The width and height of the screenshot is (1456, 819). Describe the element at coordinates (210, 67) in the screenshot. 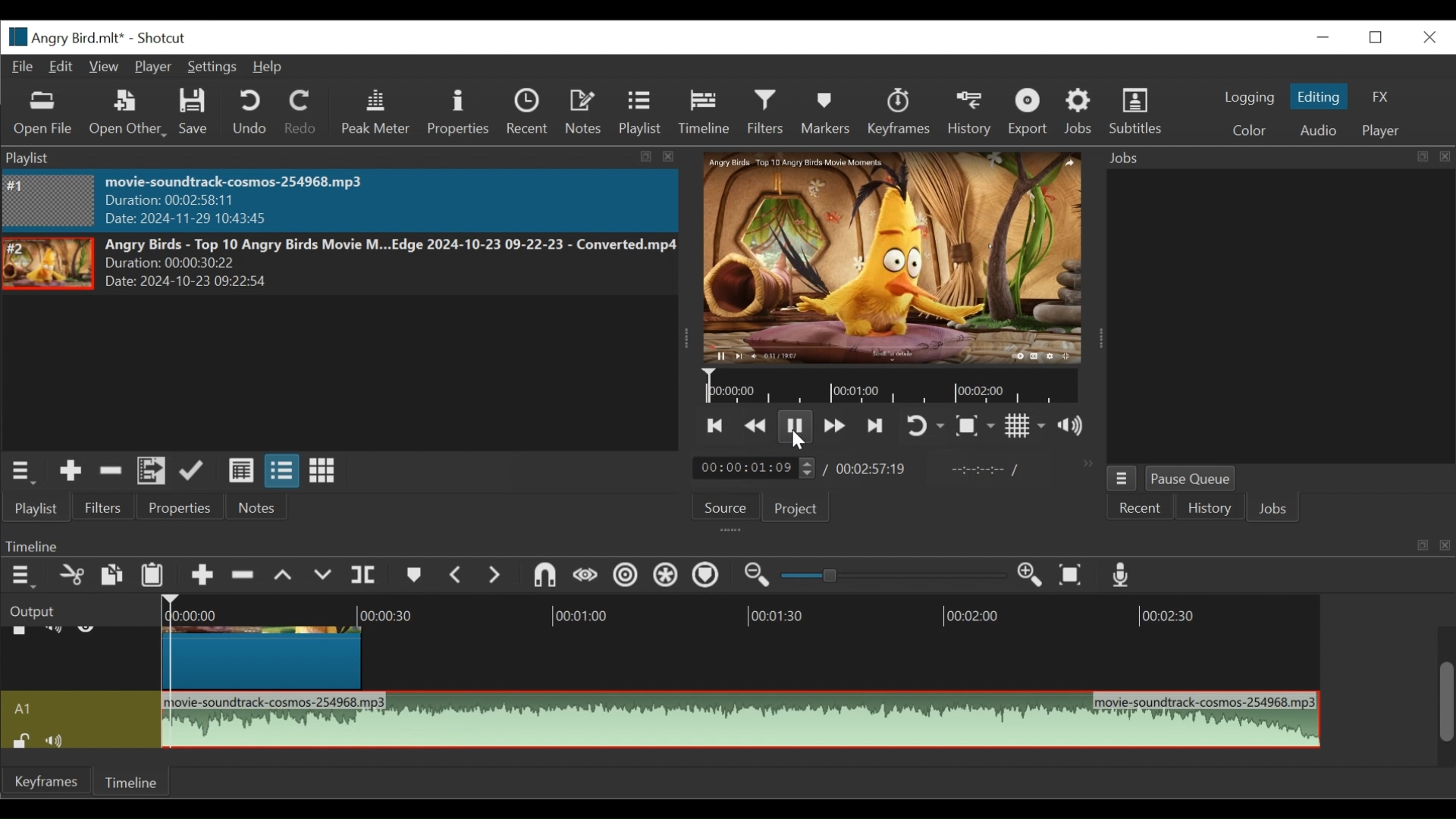

I see `Settings` at that location.